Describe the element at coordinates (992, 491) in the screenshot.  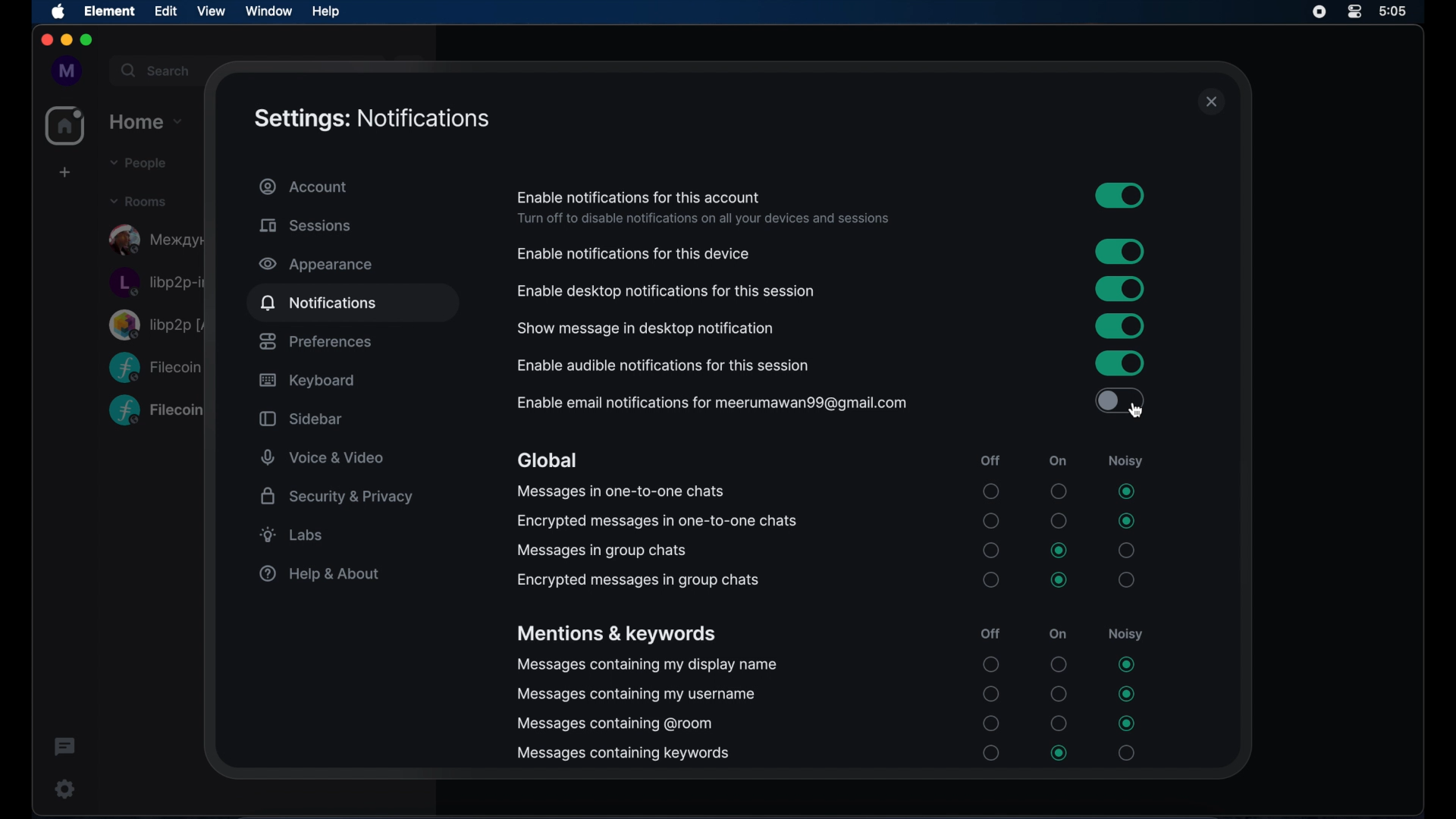
I see `radio button` at that location.